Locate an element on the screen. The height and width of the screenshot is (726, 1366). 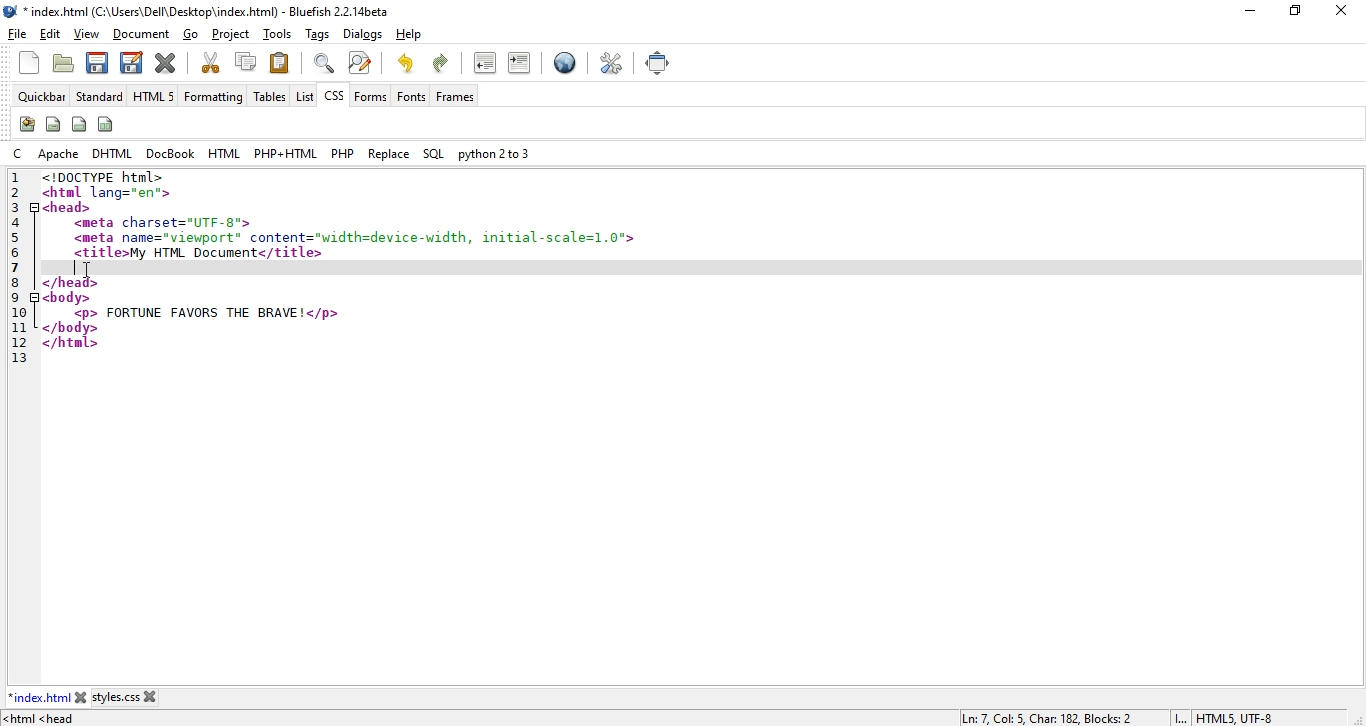
go is located at coordinates (191, 35).